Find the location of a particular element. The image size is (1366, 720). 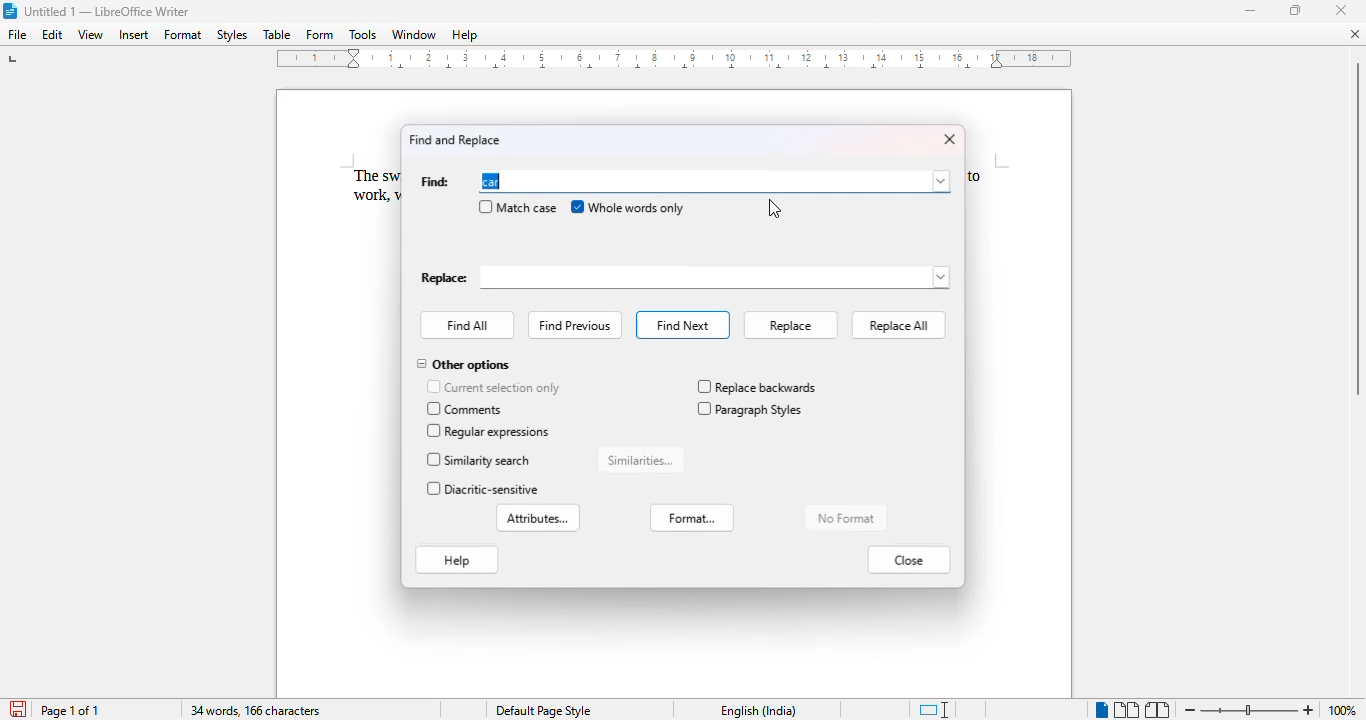

edit is located at coordinates (53, 34).